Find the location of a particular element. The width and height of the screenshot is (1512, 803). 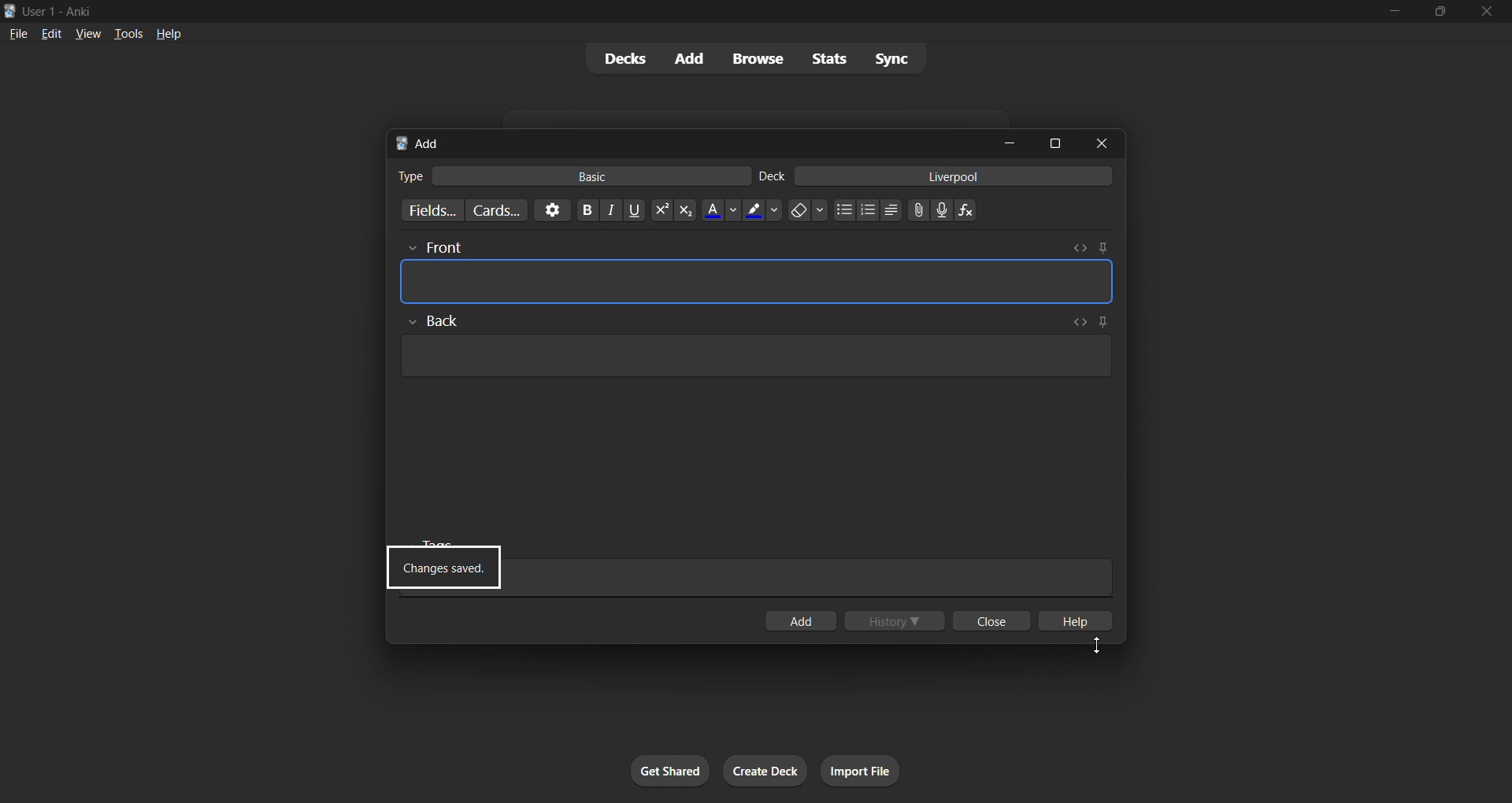

font field is located at coordinates (758, 283).